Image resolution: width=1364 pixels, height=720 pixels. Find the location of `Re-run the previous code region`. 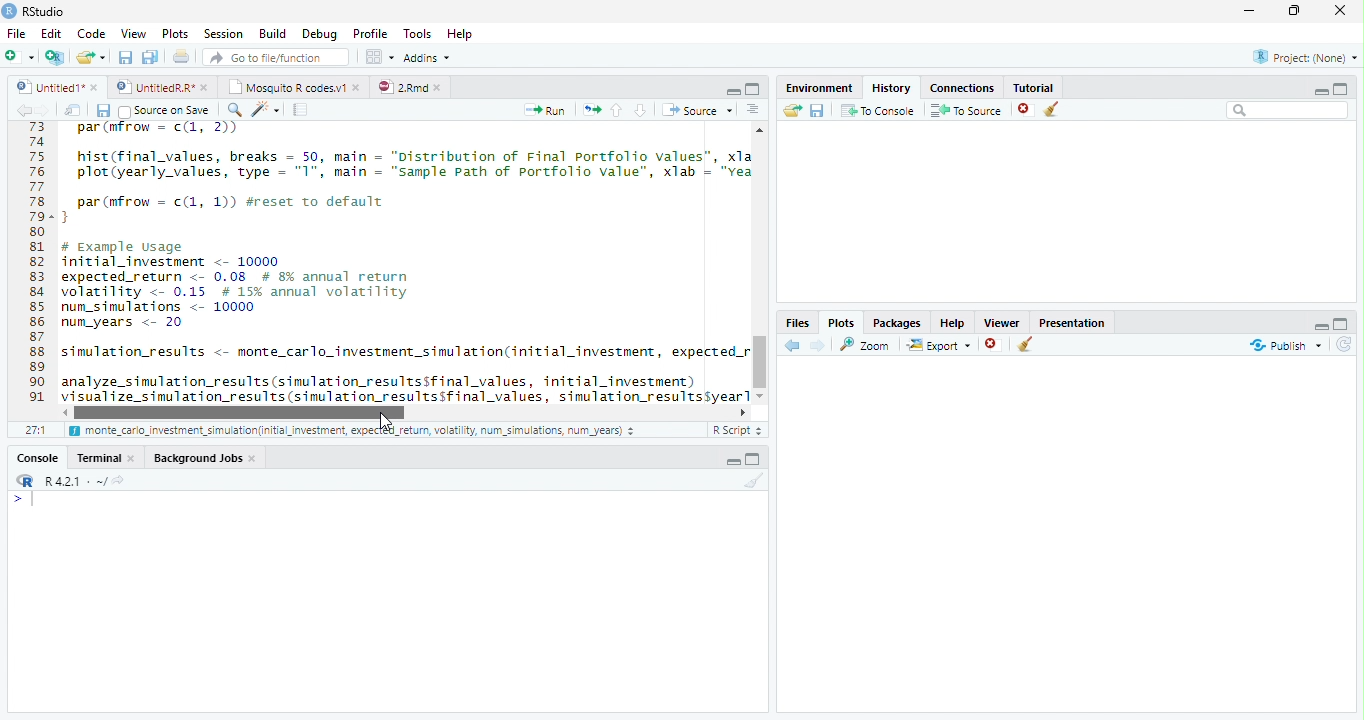

Re-run the previous code region is located at coordinates (590, 110).